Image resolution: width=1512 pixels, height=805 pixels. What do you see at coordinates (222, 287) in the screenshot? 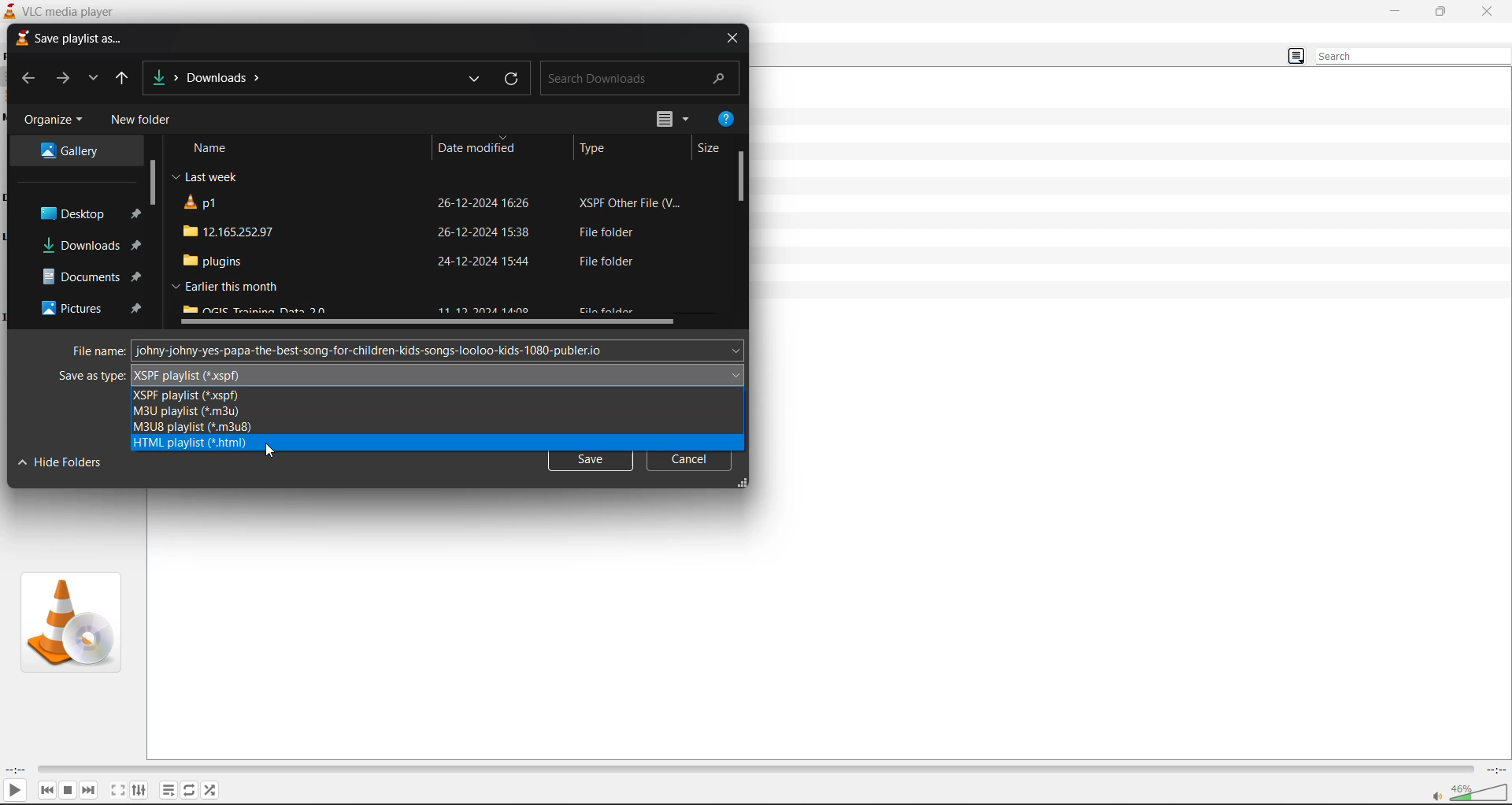
I see `Earlier this month` at bounding box center [222, 287].